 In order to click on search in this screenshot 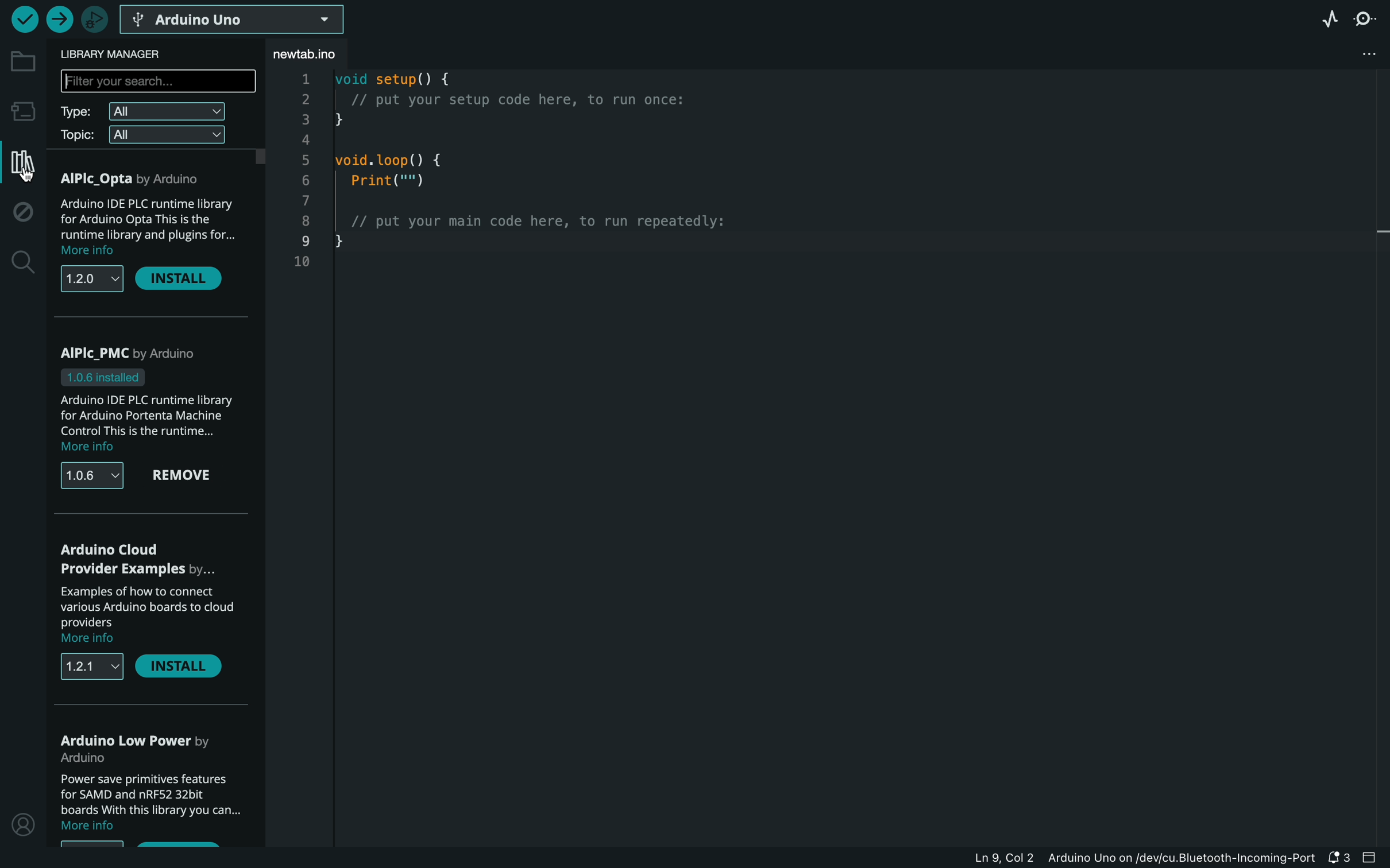, I will do `click(21, 263)`.